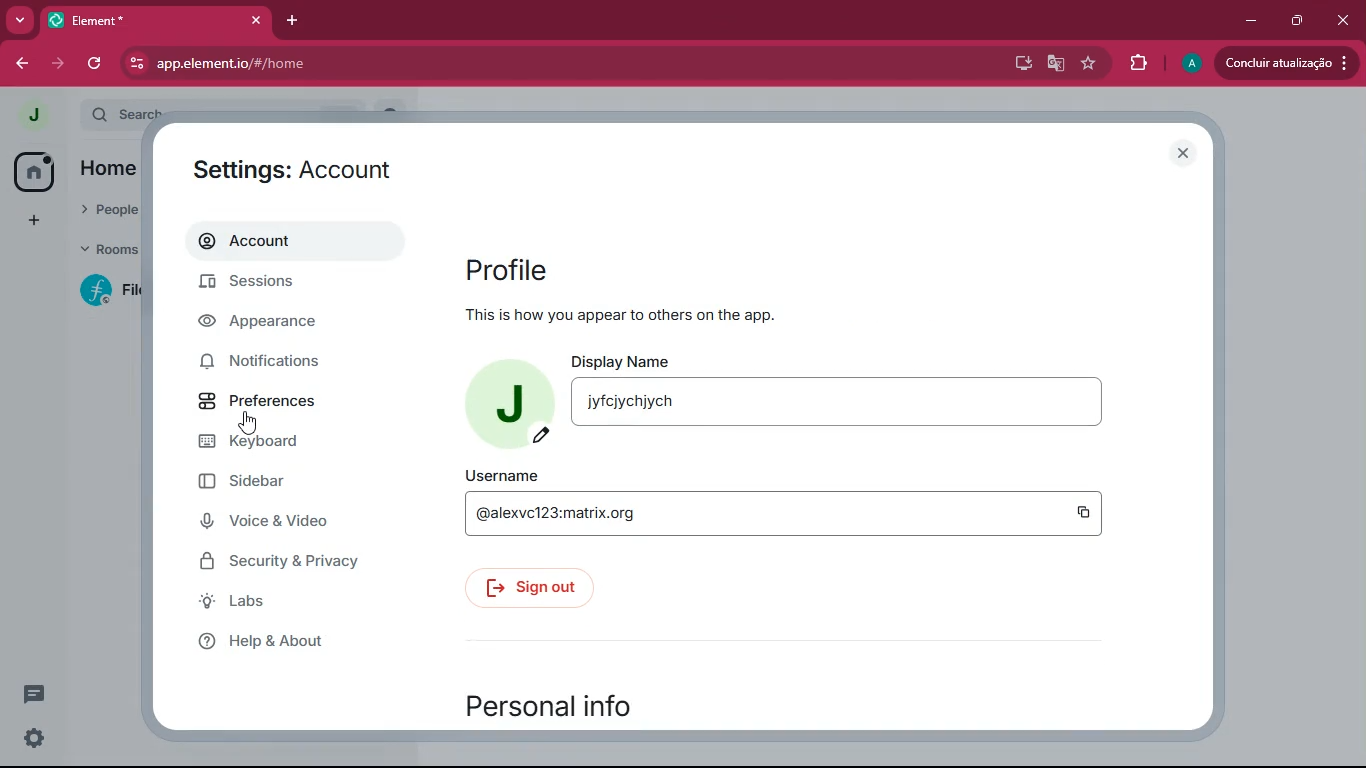 The width and height of the screenshot is (1366, 768). Describe the element at coordinates (109, 247) in the screenshot. I see `rooms` at that location.